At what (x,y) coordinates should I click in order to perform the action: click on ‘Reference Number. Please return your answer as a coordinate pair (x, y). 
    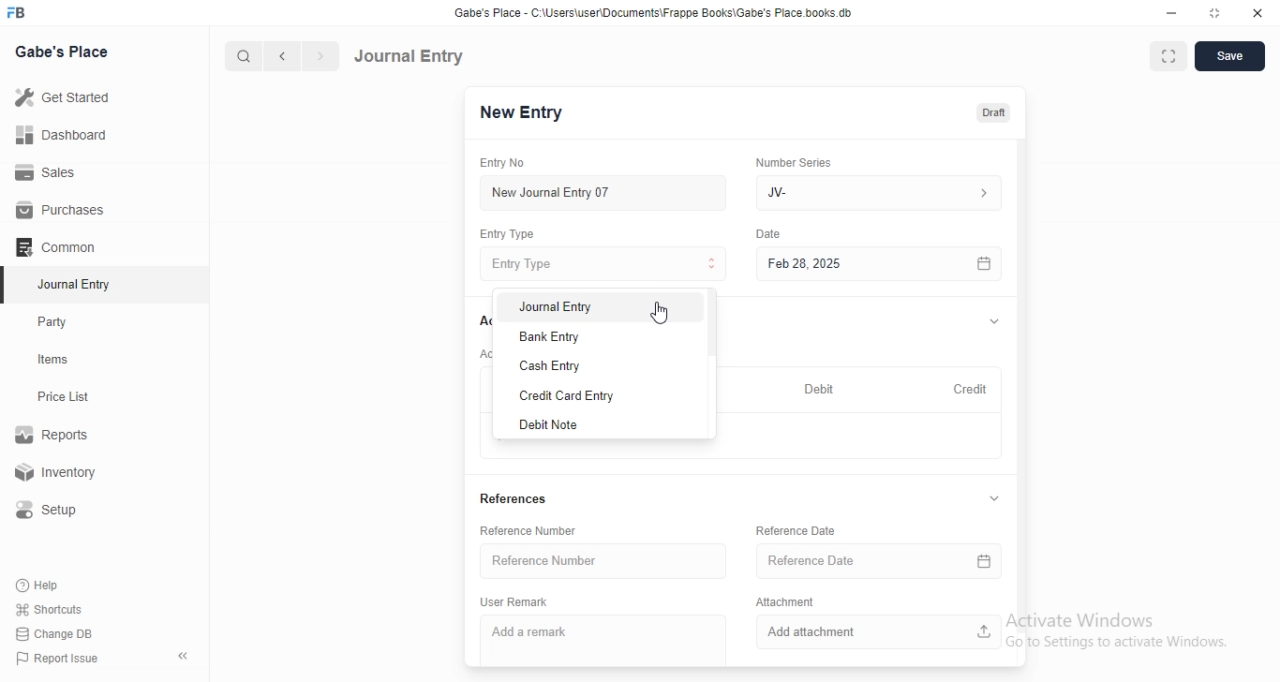
    Looking at the image, I should click on (529, 530).